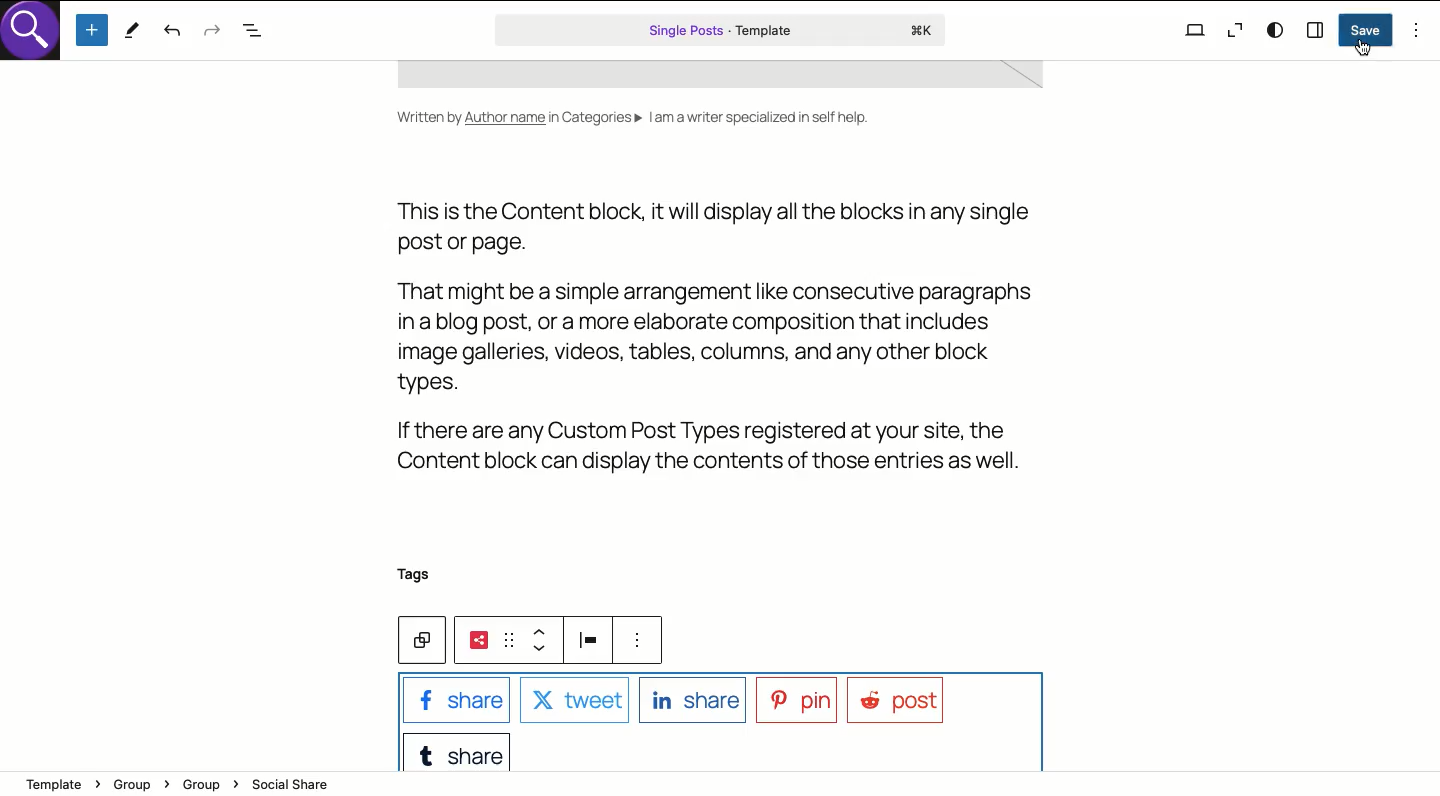  I want to click on Parent block, so click(429, 644).